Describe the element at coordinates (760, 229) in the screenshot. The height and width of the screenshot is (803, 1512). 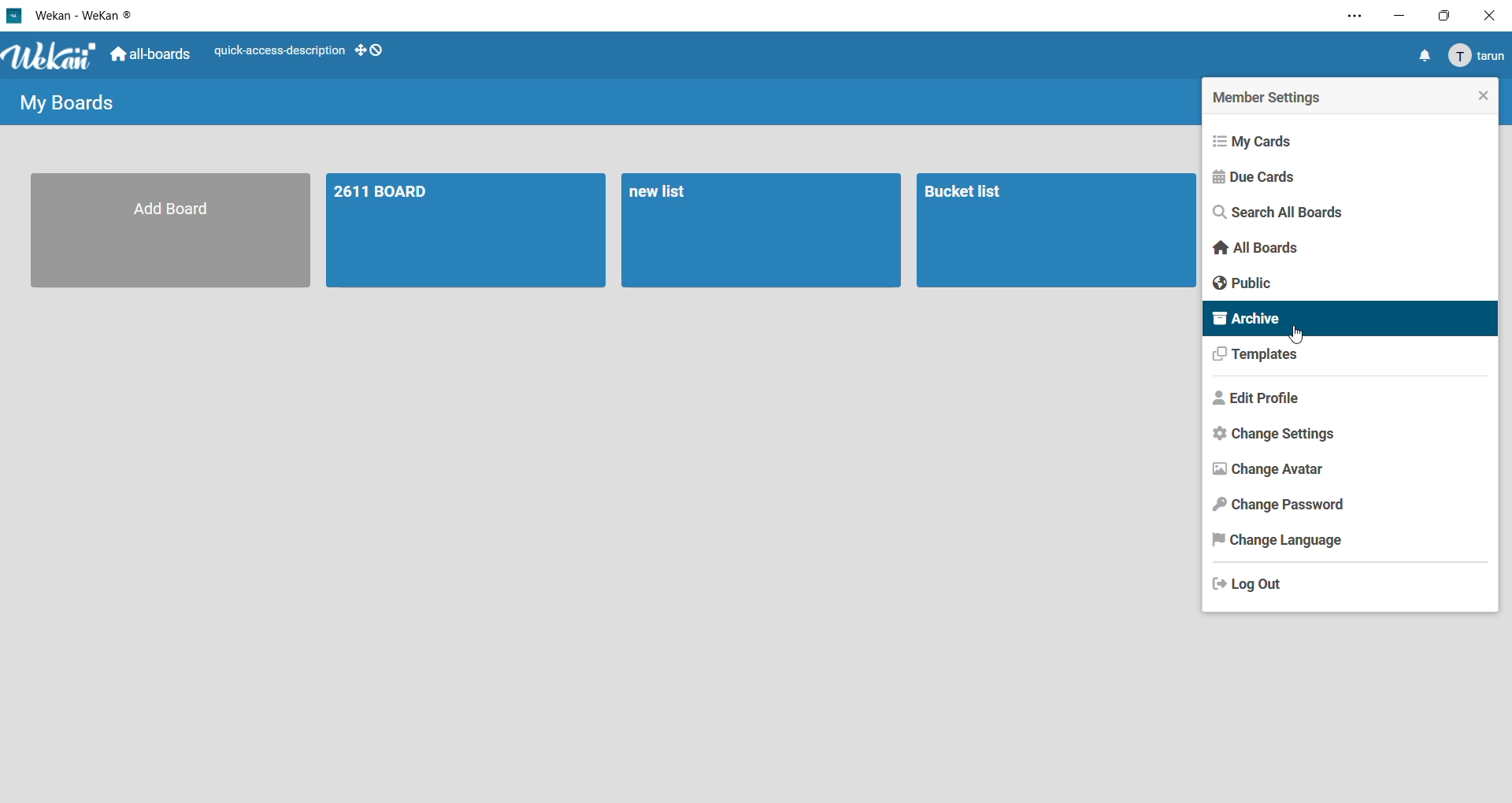
I see `board 2-new list` at that location.